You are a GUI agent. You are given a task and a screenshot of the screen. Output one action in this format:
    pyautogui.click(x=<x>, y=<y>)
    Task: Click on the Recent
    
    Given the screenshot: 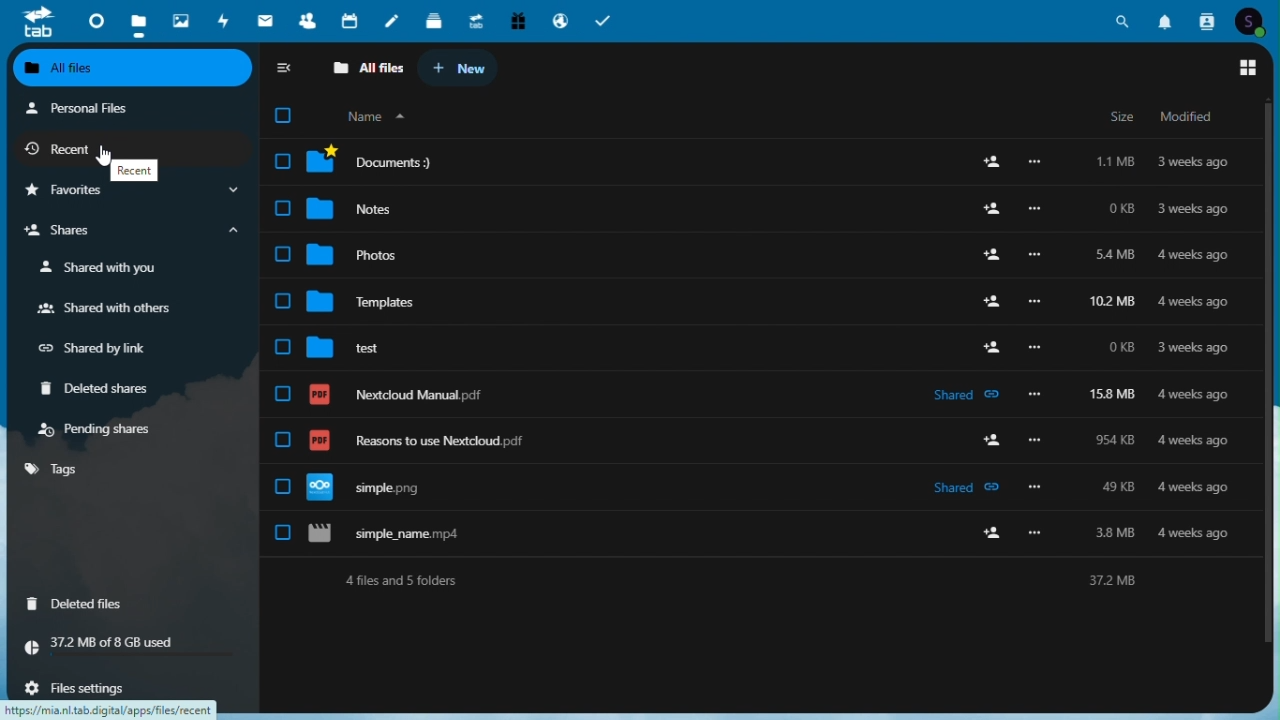 What is the action you would take?
    pyautogui.click(x=65, y=149)
    